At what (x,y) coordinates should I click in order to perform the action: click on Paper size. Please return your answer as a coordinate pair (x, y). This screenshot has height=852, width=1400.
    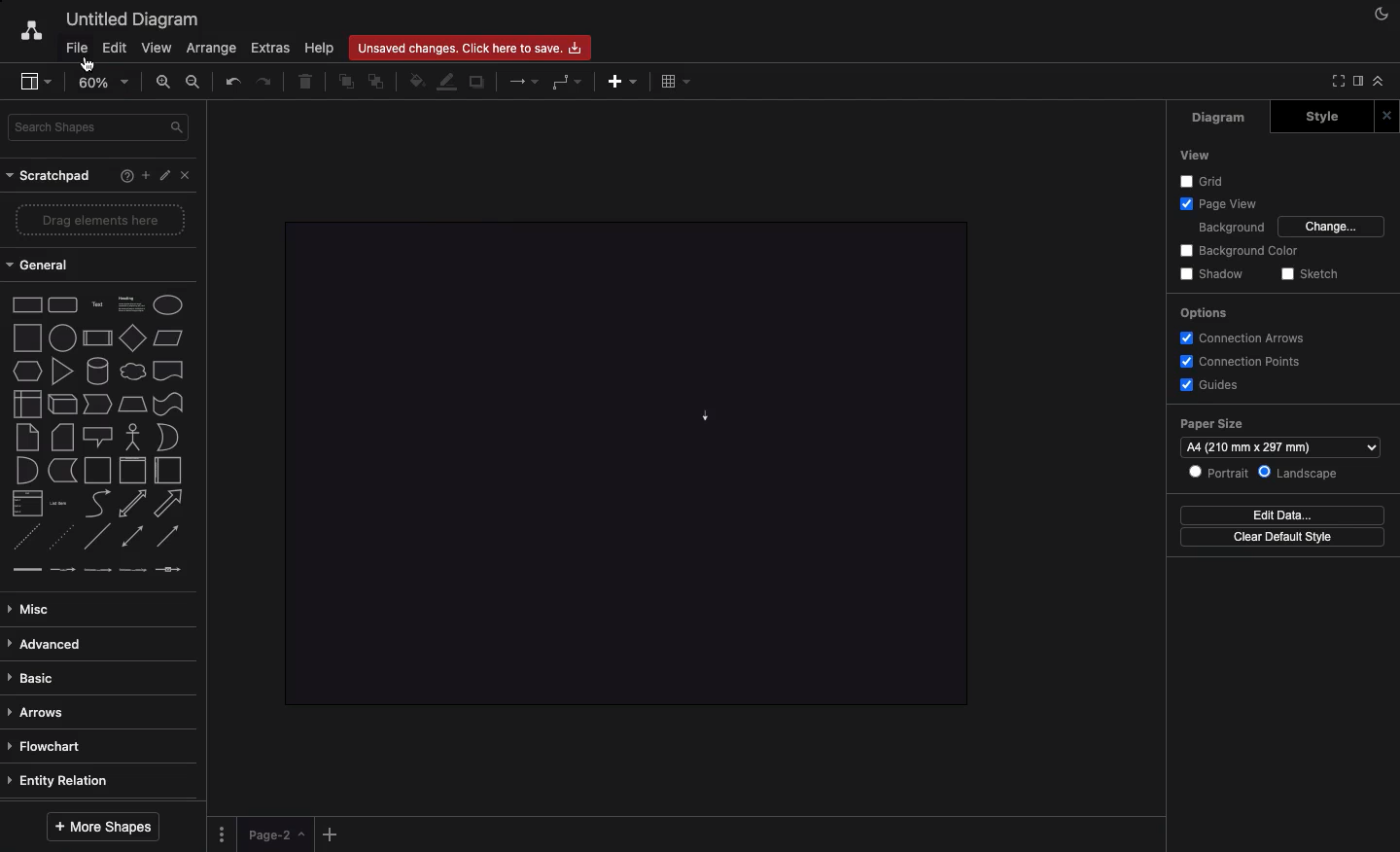
    Looking at the image, I should click on (1280, 425).